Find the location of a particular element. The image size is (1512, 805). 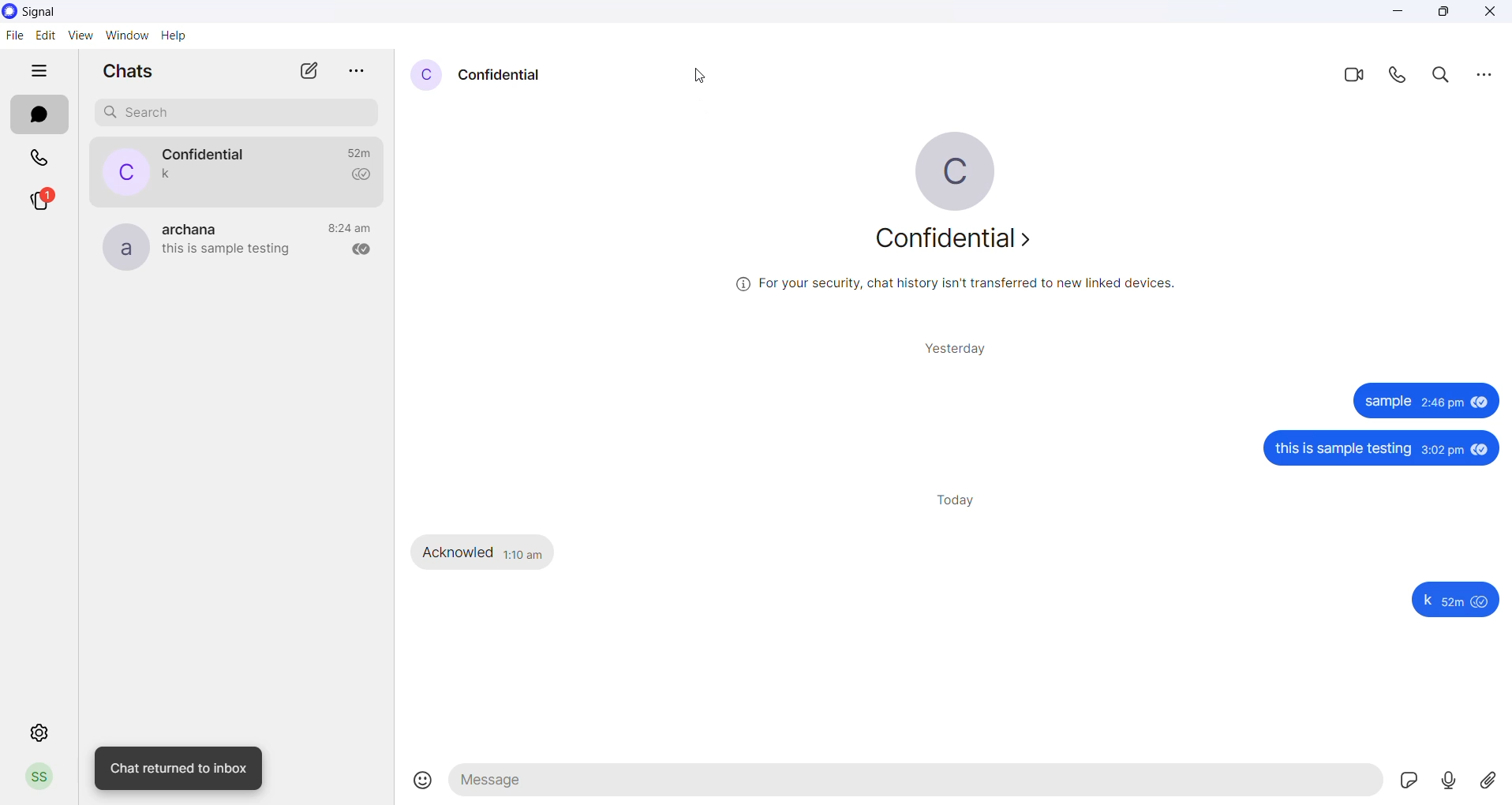

file is located at coordinates (14, 36).